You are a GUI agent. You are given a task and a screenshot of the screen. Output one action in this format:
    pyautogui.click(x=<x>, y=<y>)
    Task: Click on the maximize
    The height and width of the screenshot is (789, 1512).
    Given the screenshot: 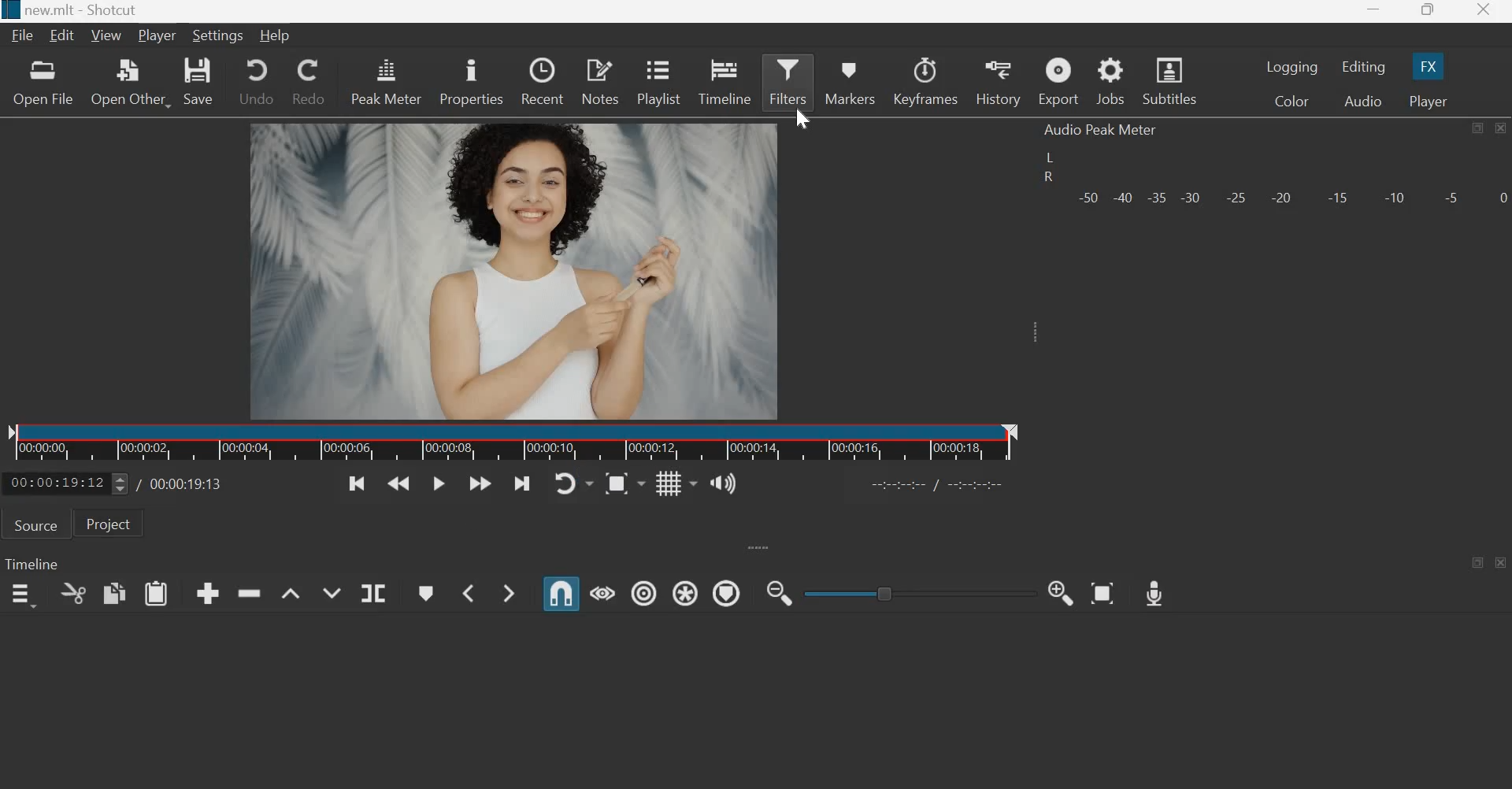 What is the action you would take?
    pyautogui.click(x=1480, y=562)
    